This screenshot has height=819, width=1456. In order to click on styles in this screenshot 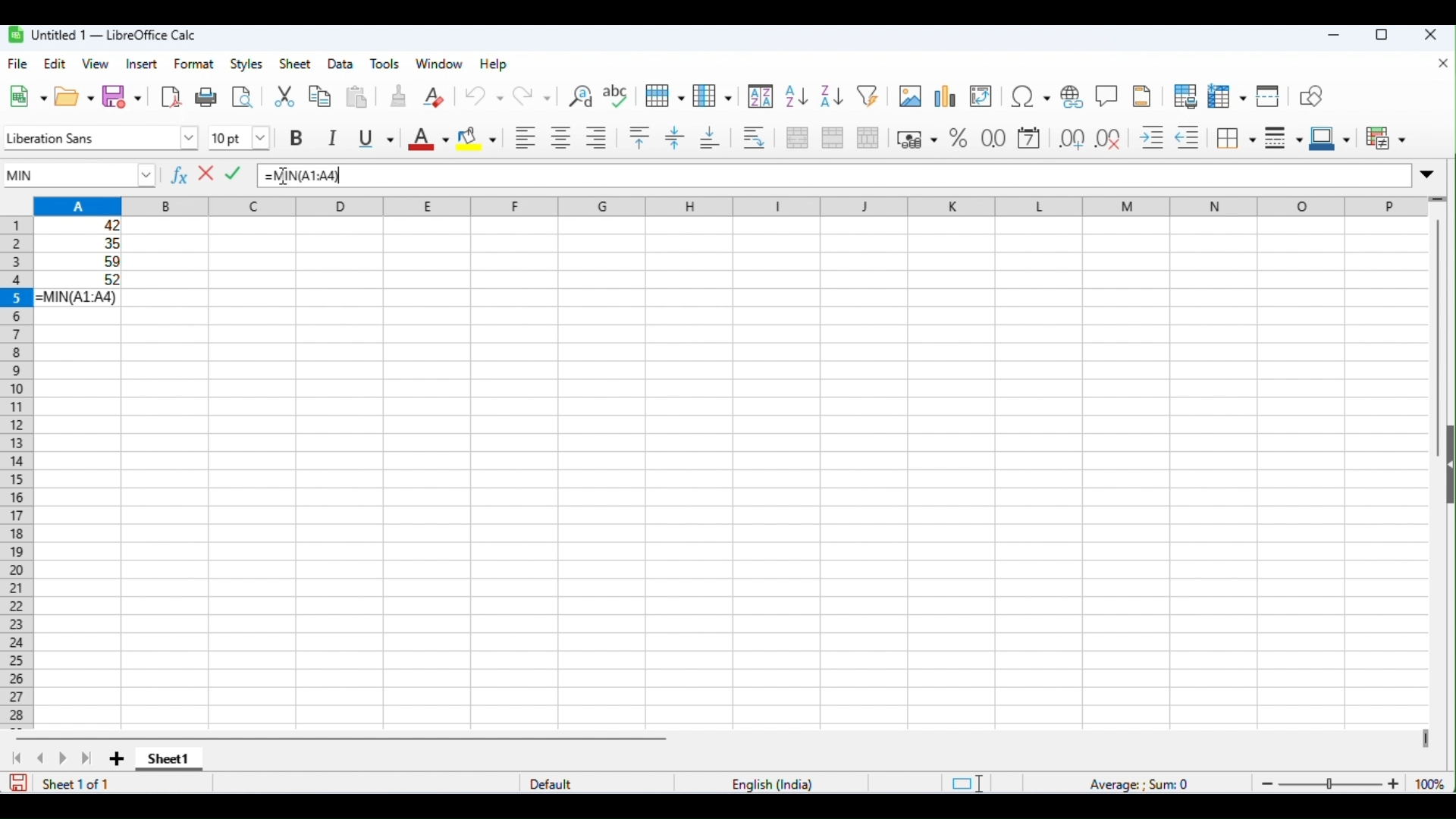, I will do `click(246, 64)`.